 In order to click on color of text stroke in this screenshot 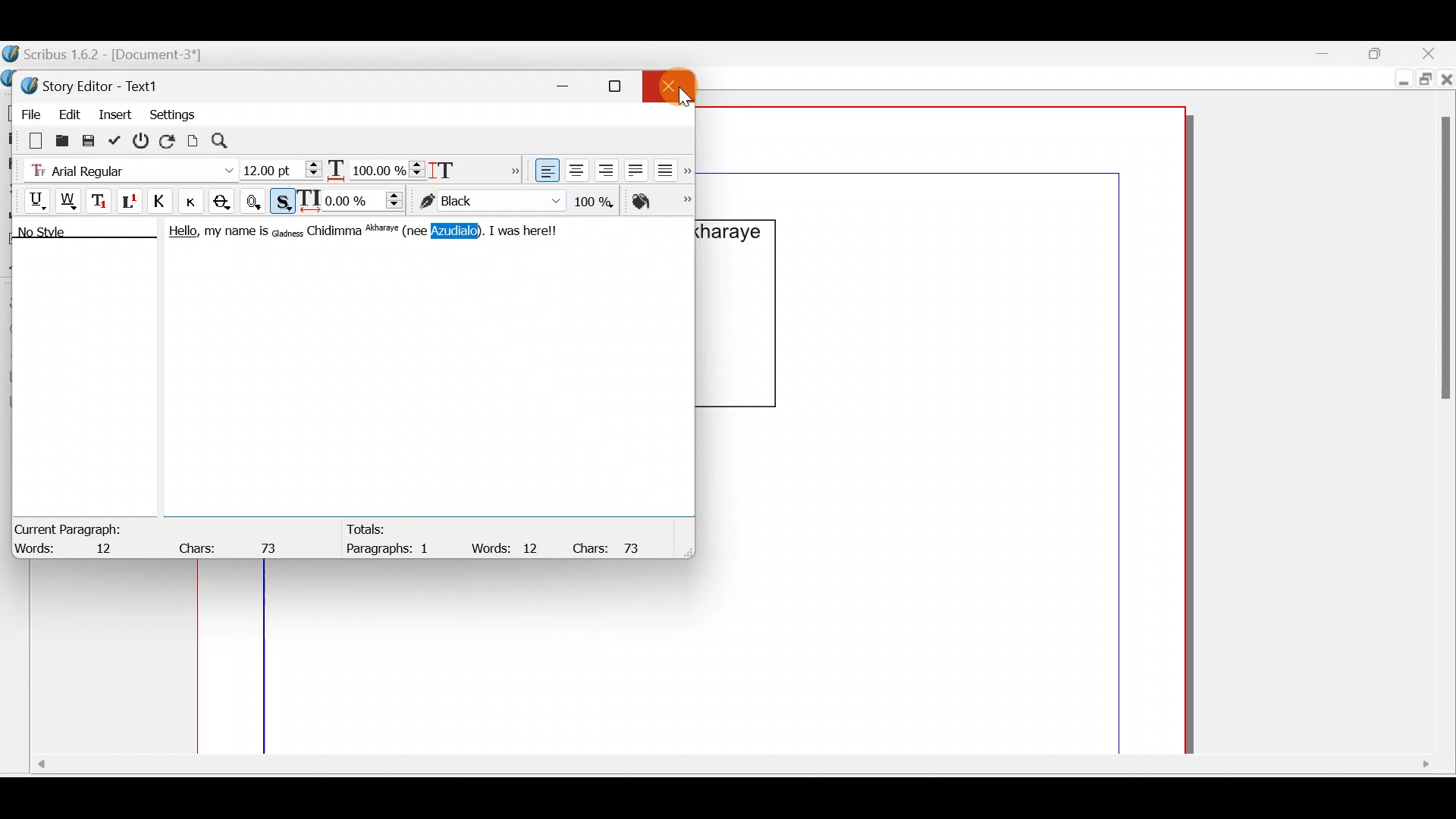, I will do `click(490, 202)`.